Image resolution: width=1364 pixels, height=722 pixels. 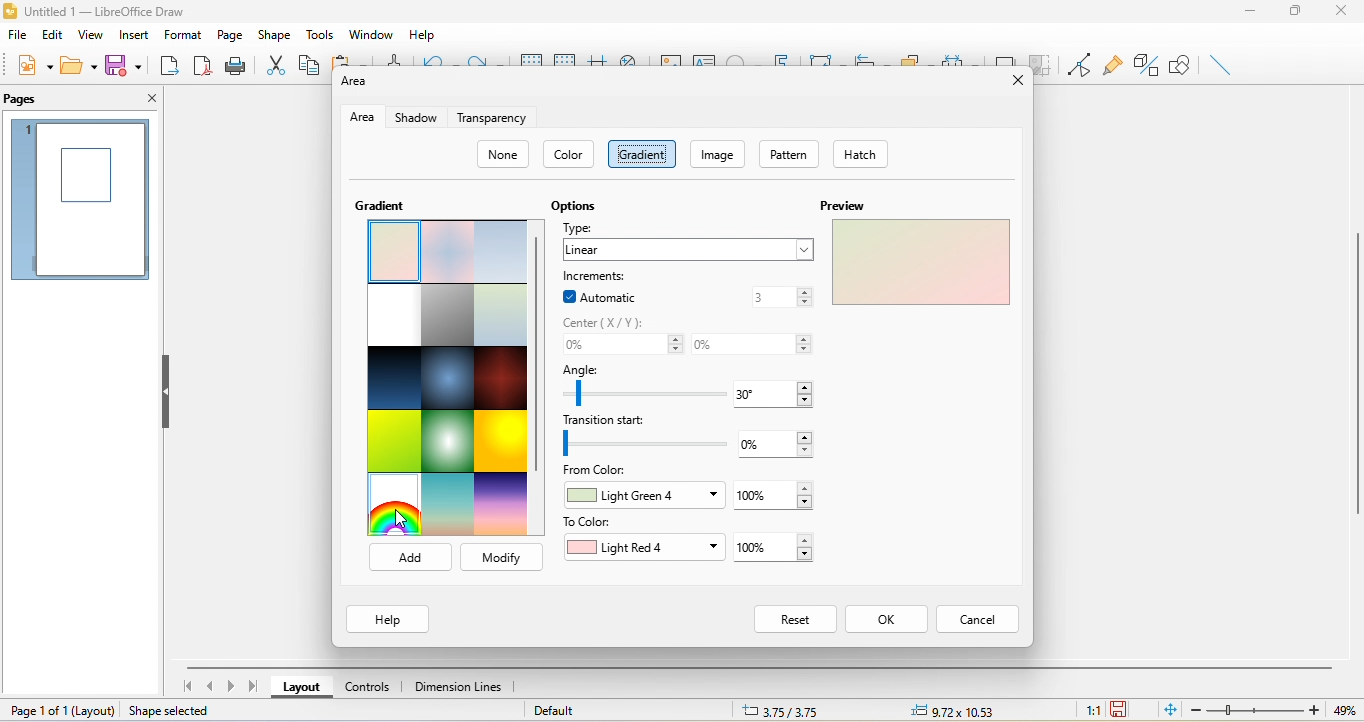 What do you see at coordinates (1080, 64) in the screenshot?
I see `toggle point edit mode` at bounding box center [1080, 64].